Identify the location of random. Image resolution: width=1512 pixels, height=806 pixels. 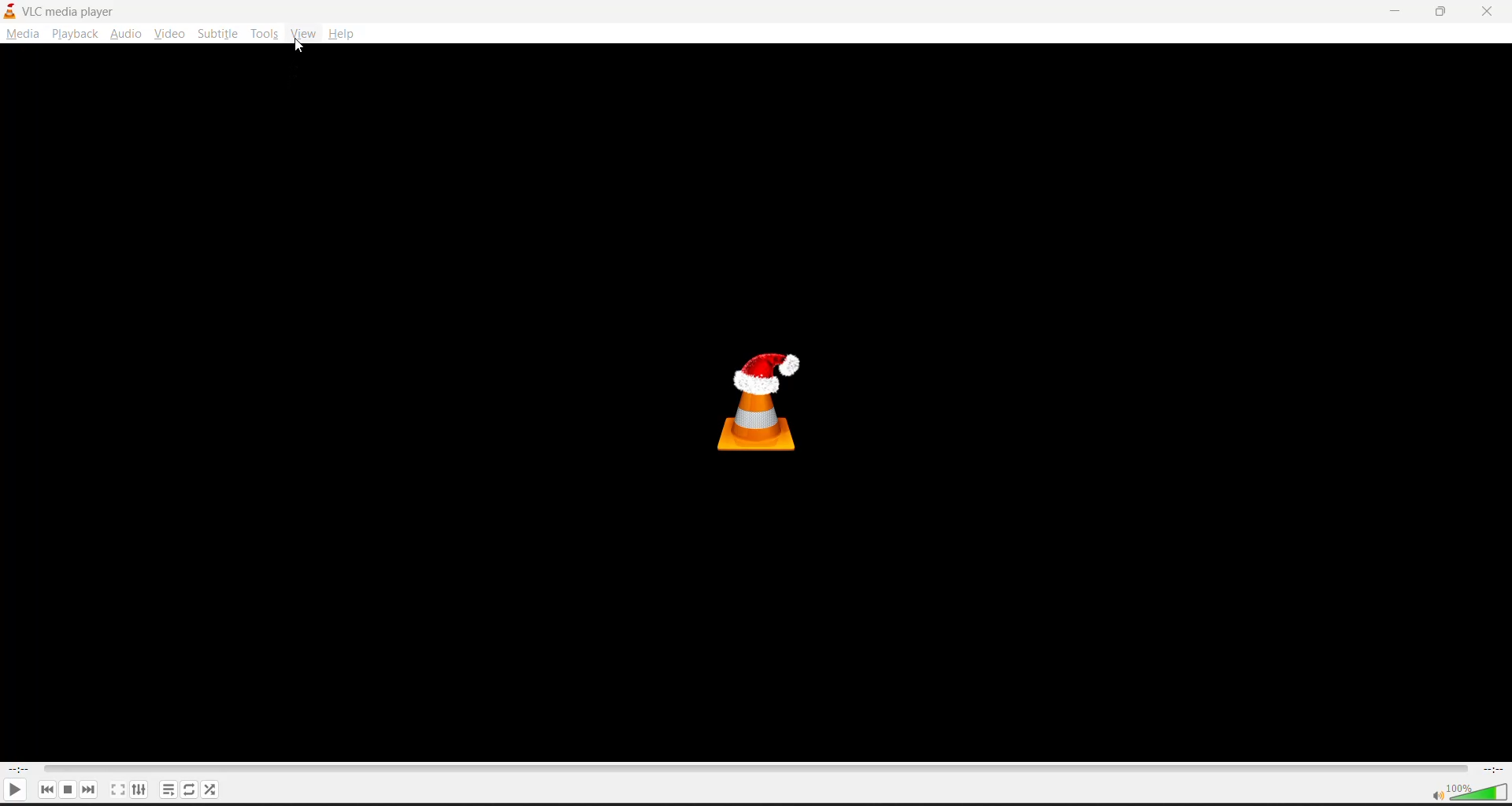
(212, 790).